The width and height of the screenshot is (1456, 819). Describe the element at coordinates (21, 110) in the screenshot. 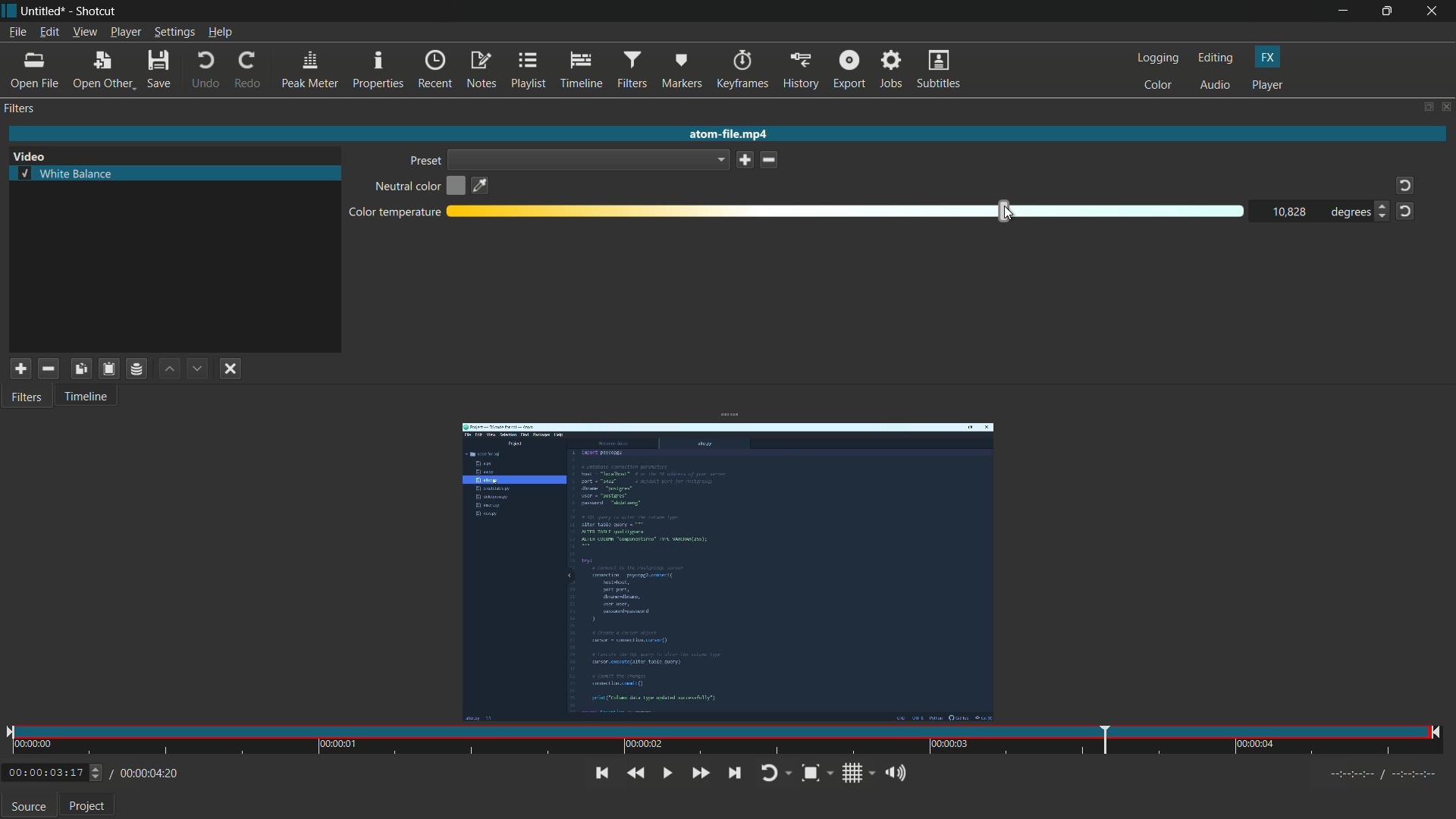

I see `filters` at that location.